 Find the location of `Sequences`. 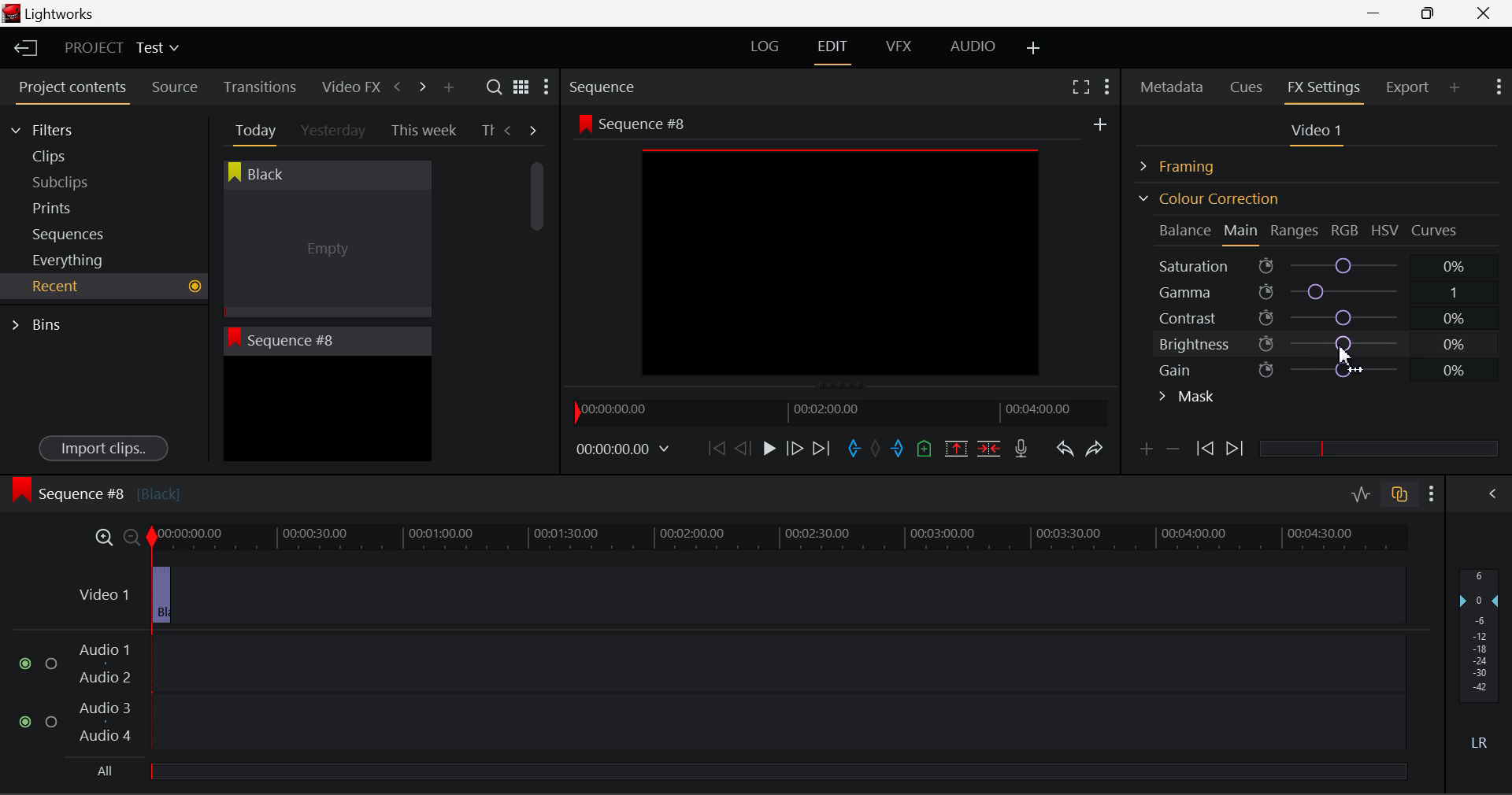

Sequences is located at coordinates (72, 232).